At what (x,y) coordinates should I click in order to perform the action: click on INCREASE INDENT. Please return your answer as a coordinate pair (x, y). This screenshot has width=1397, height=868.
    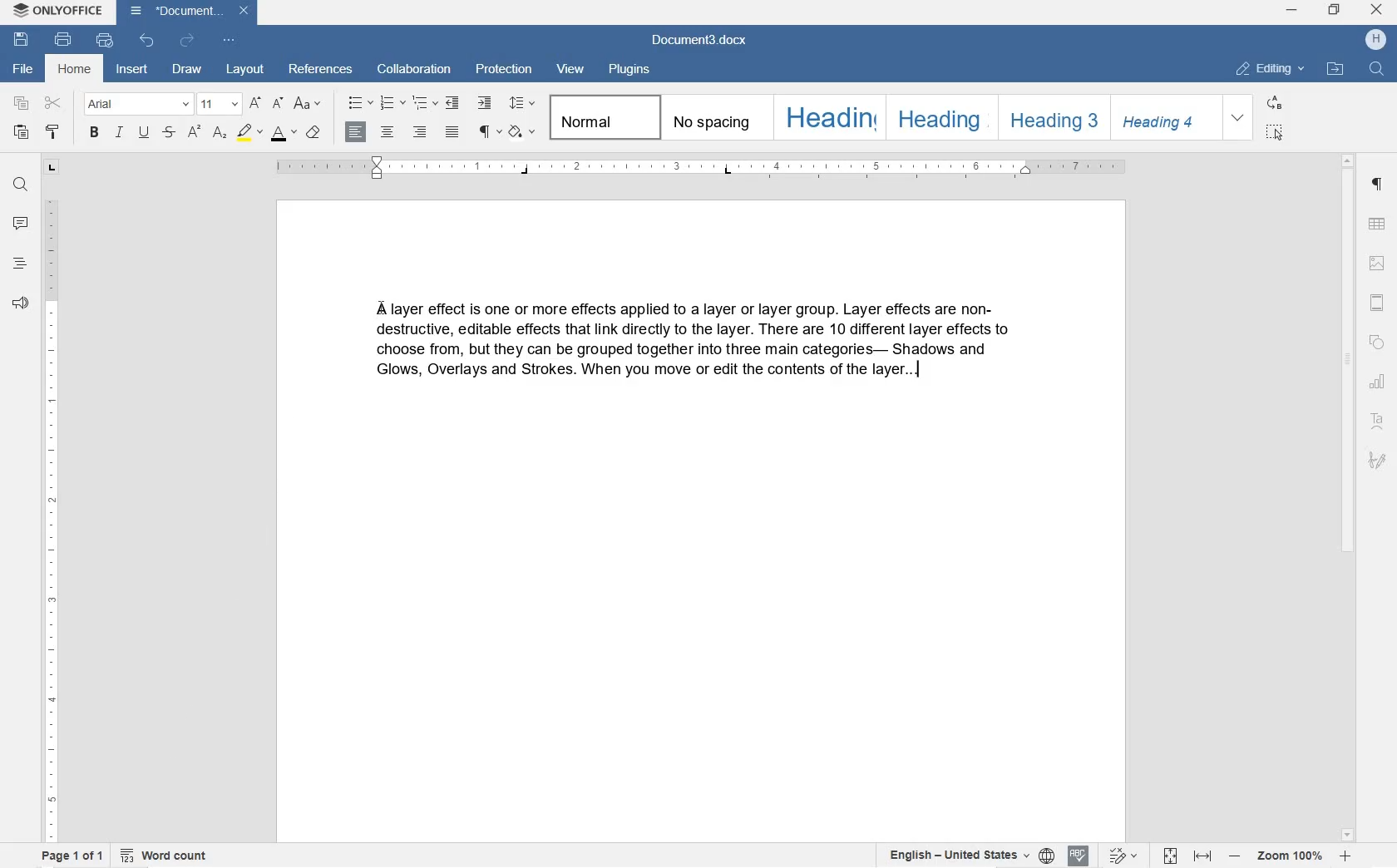
    Looking at the image, I should click on (485, 103).